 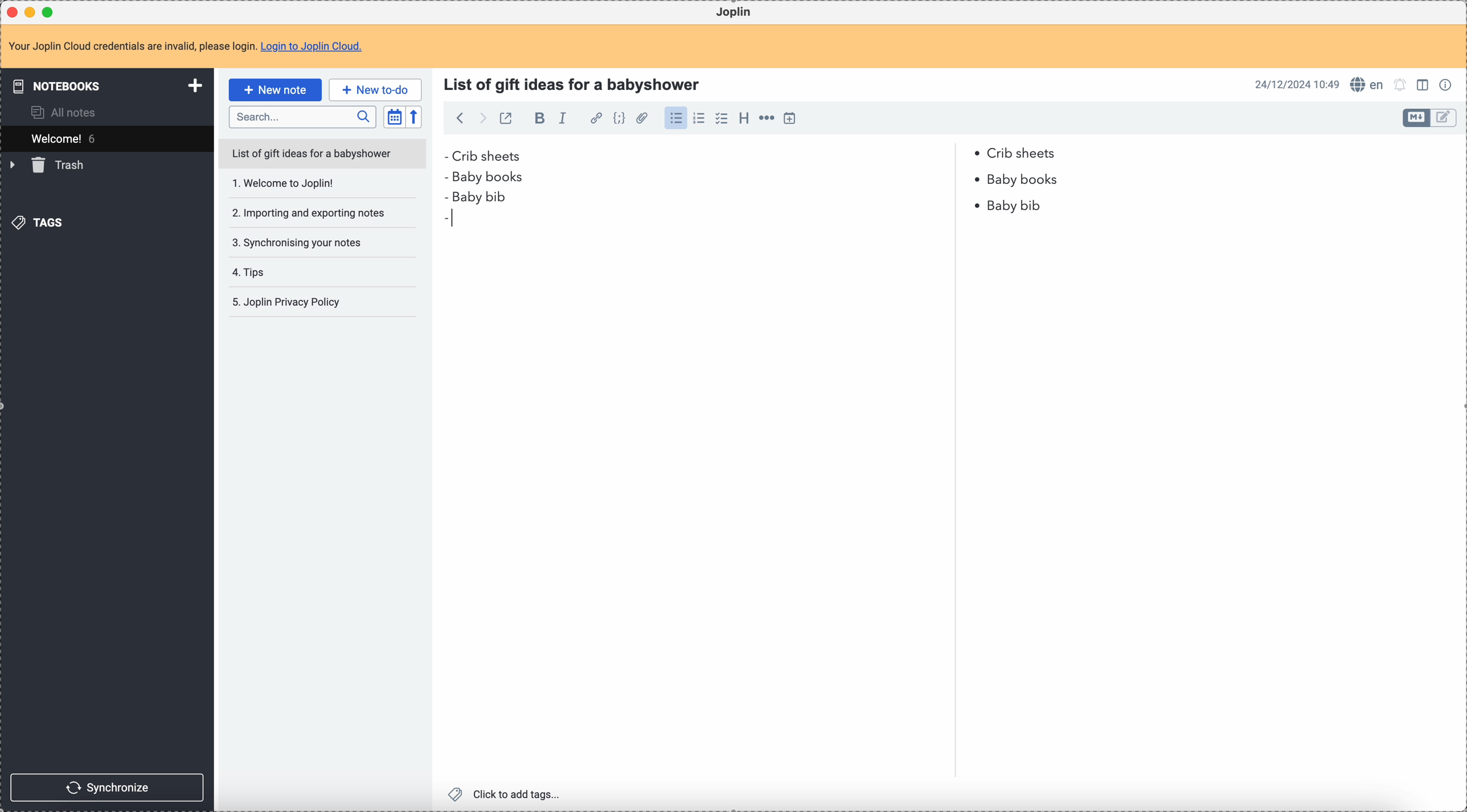 What do you see at coordinates (445, 156) in the screenshot?
I see `bullet point` at bounding box center [445, 156].